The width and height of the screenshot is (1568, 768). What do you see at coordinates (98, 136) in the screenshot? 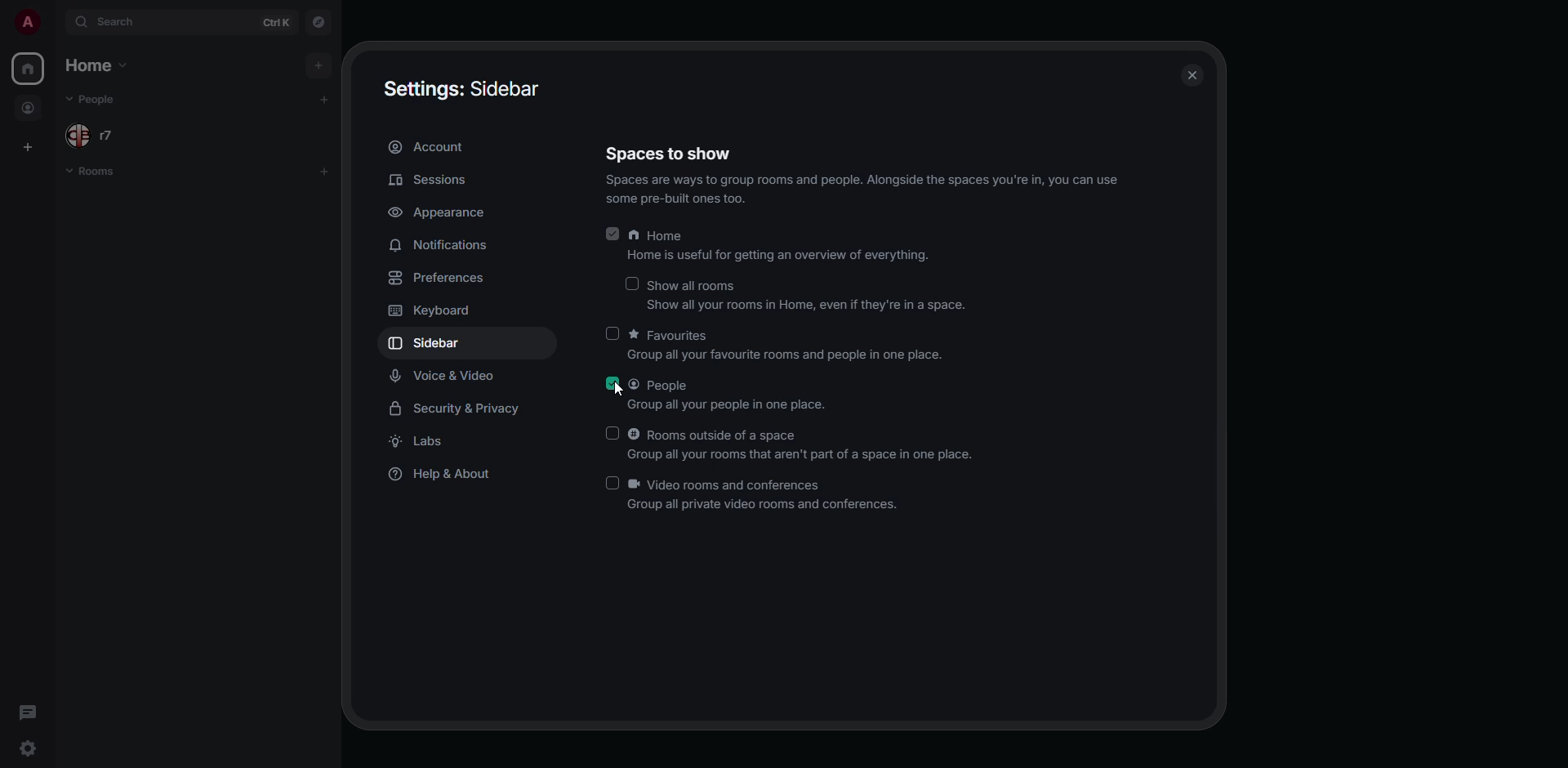
I see `people` at bounding box center [98, 136].